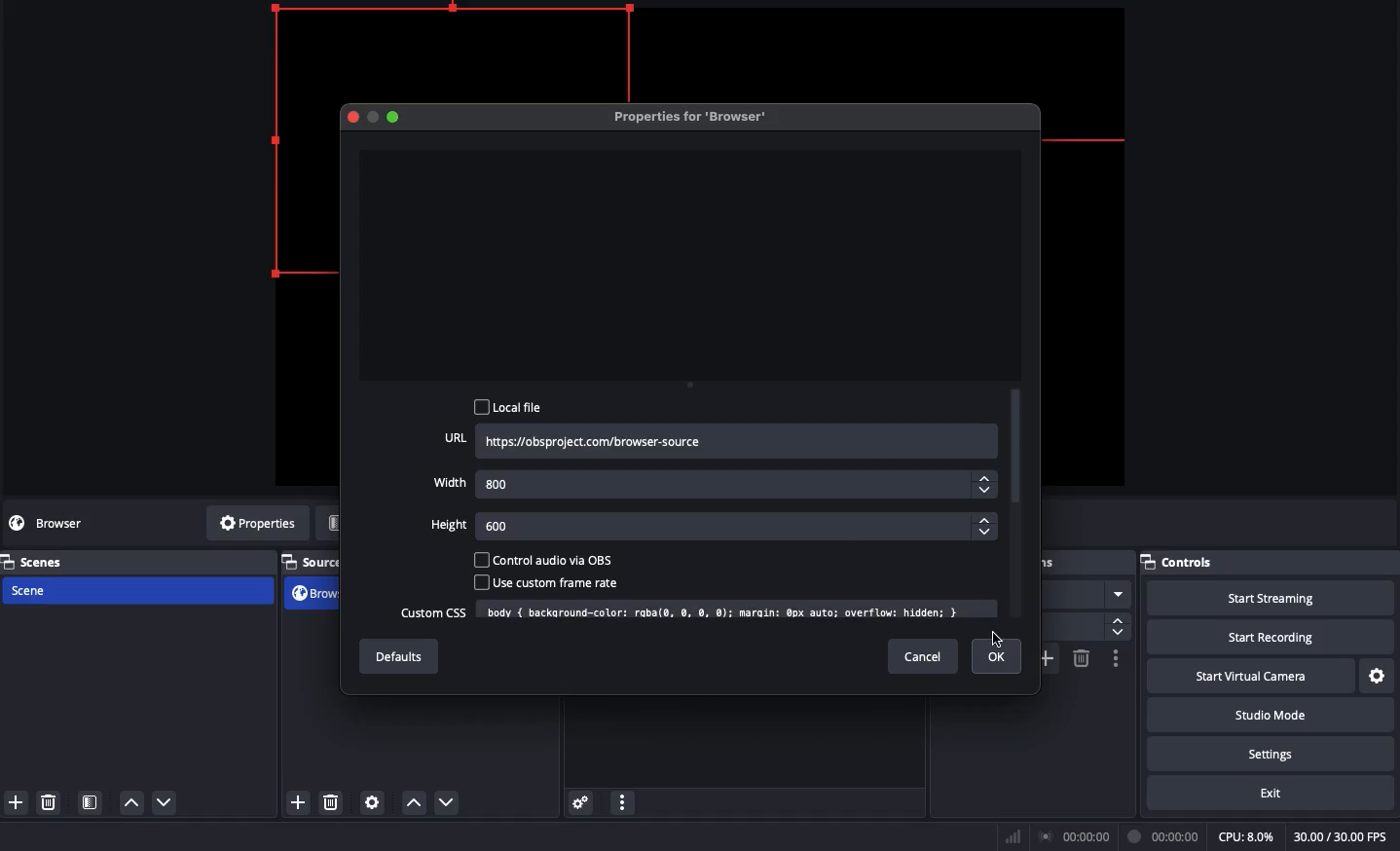 The width and height of the screenshot is (1400, 851). I want to click on Start recording, so click(1275, 631).